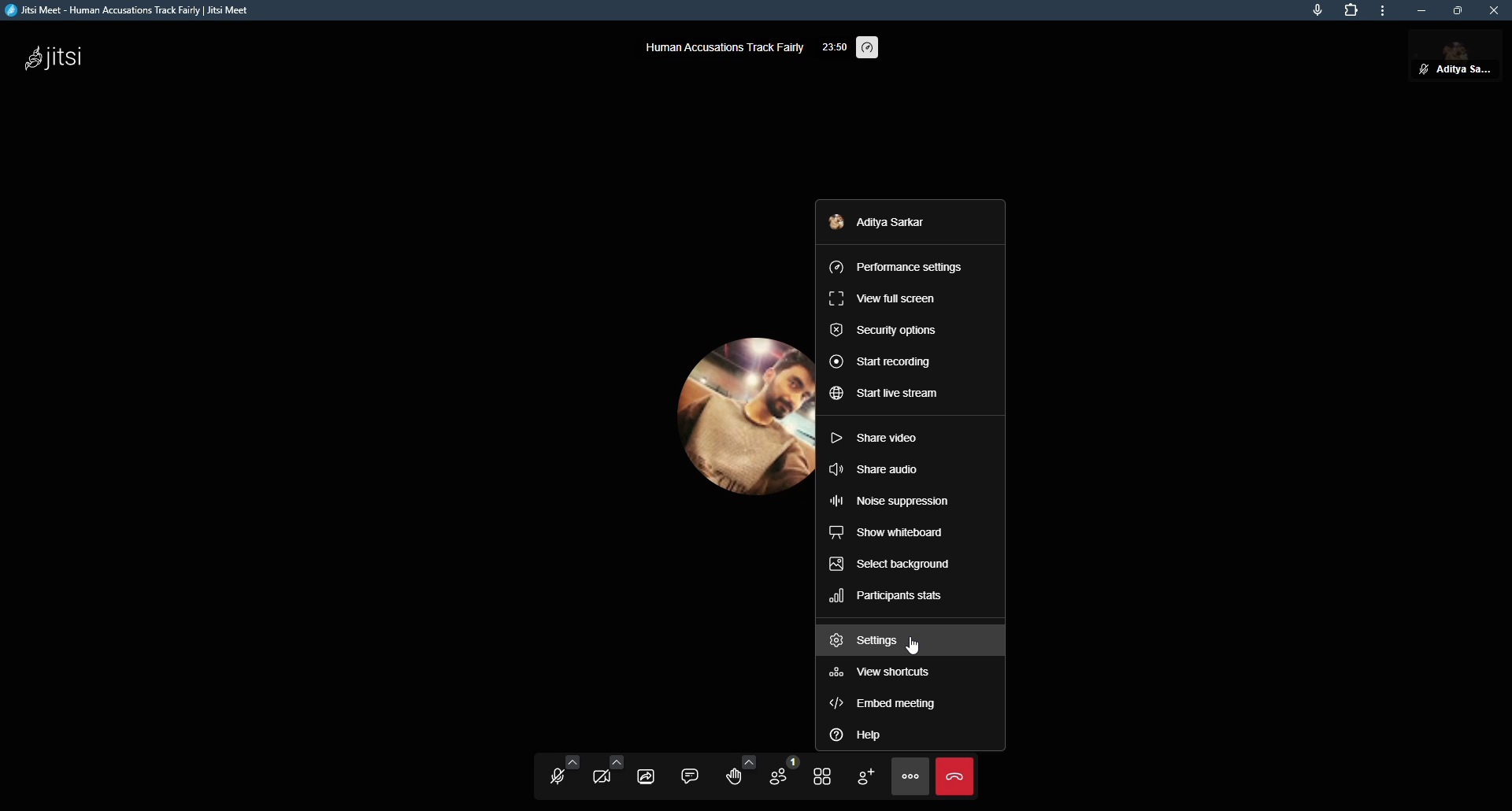 The width and height of the screenshot is (1512, 811). I want to click on mic, so click(1317, 11).